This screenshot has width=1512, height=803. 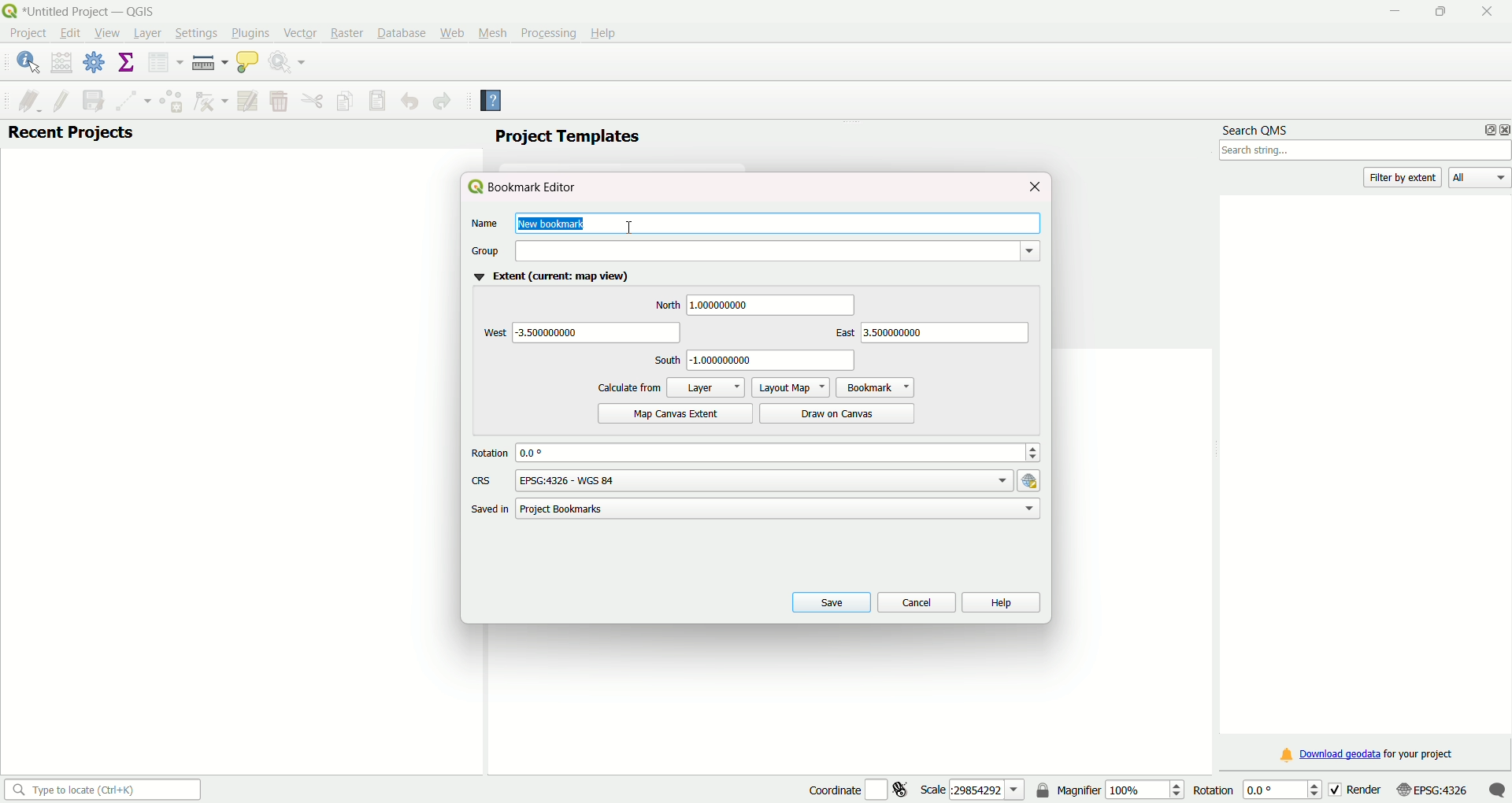 What do you see at coordinates (487, 510) in the screenshot?
I see `saved in` at bounding box center [487, 510].